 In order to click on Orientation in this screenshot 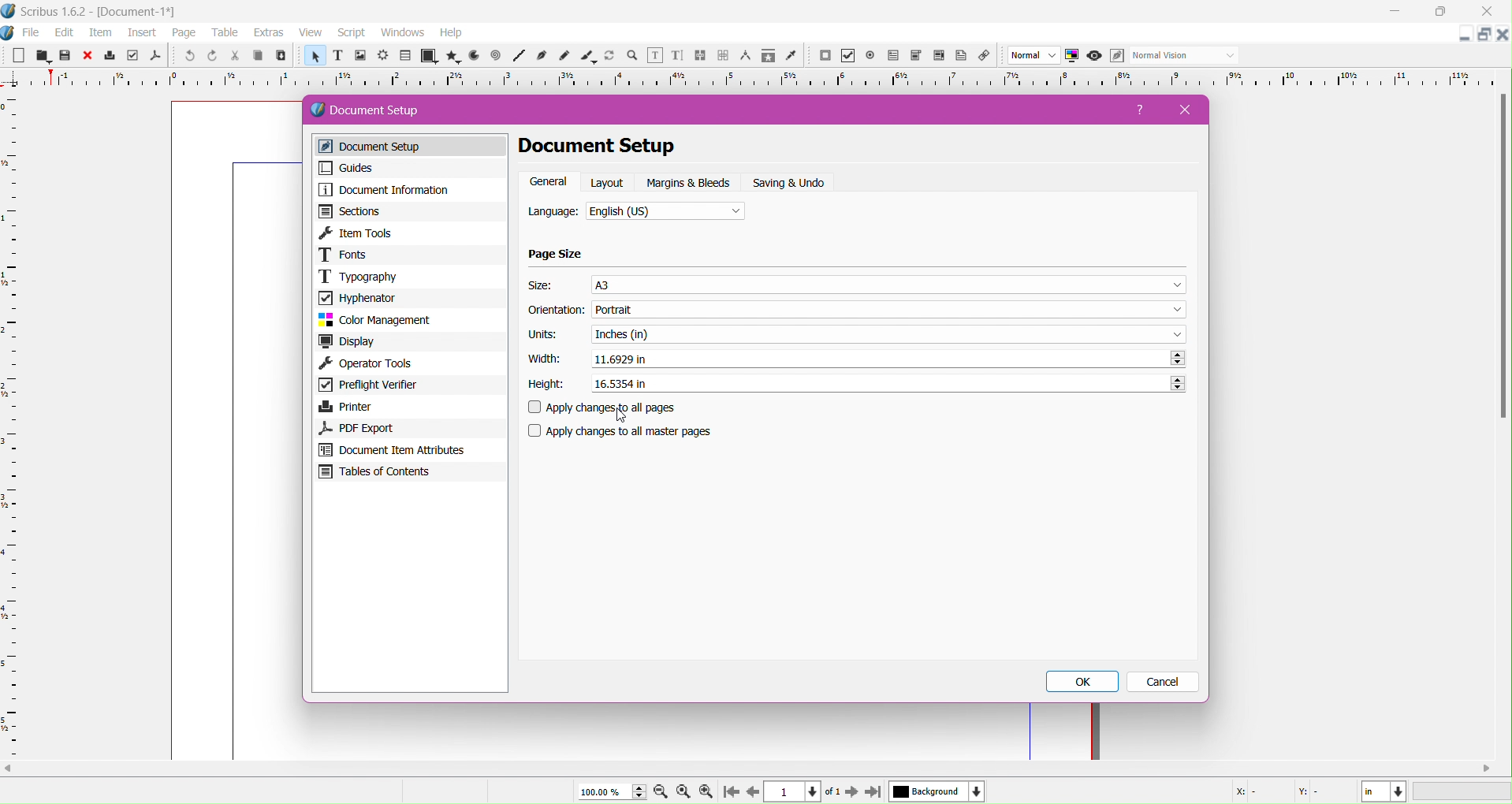, I will do `click(557, 311)`.